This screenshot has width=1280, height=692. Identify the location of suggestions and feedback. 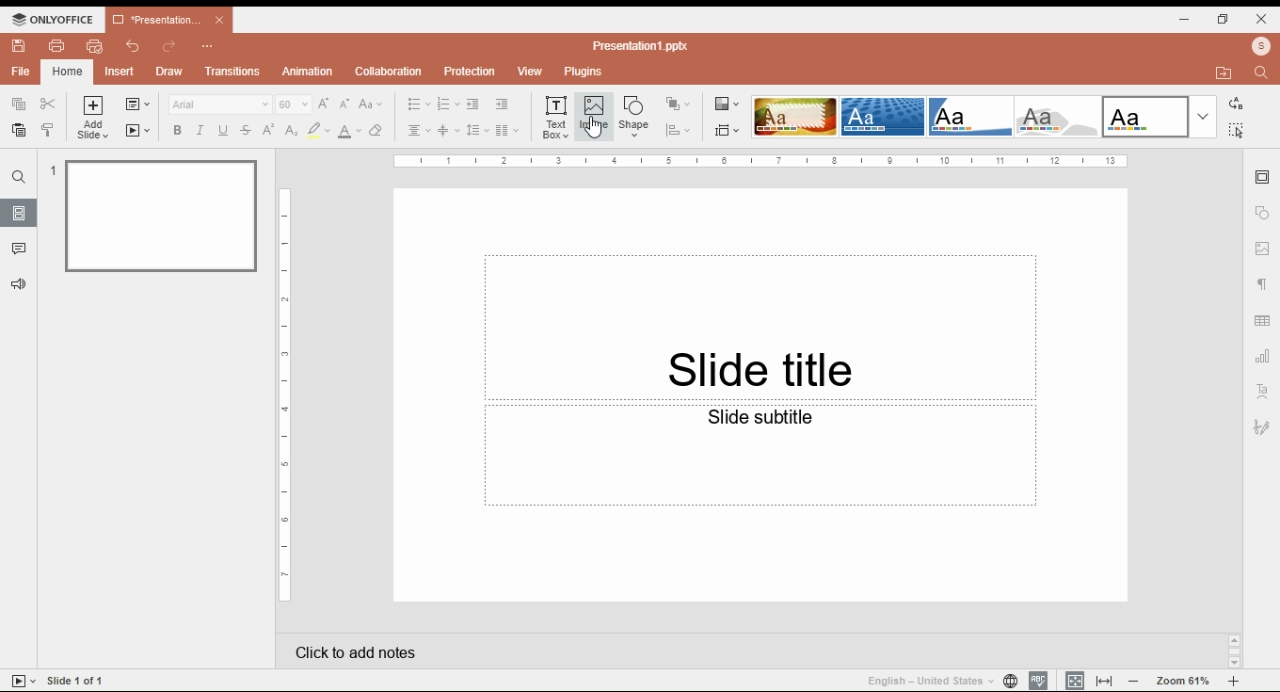
(20, 285).